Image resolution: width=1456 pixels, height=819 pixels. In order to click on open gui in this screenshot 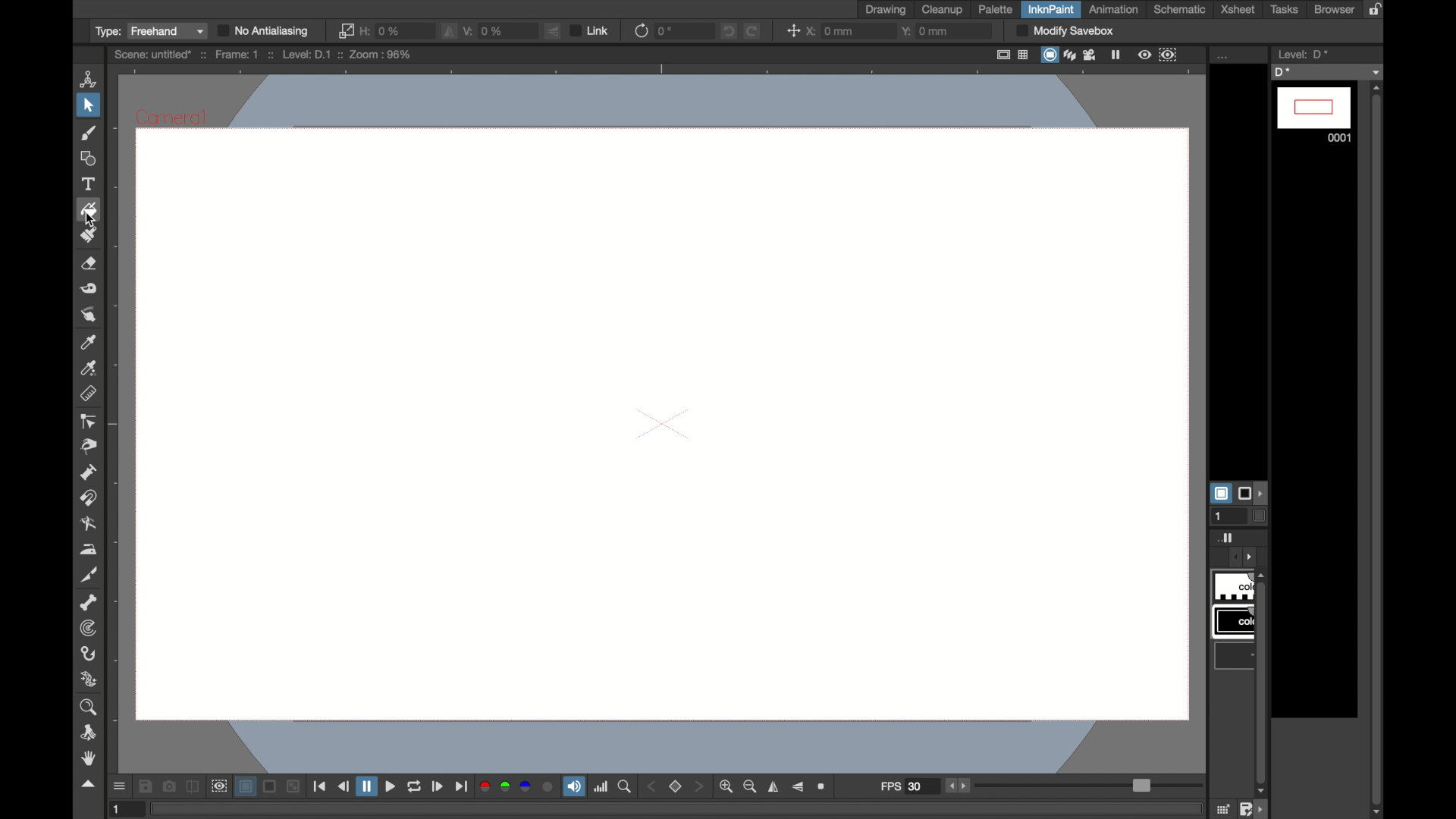, I will do `click(121, 786)`.